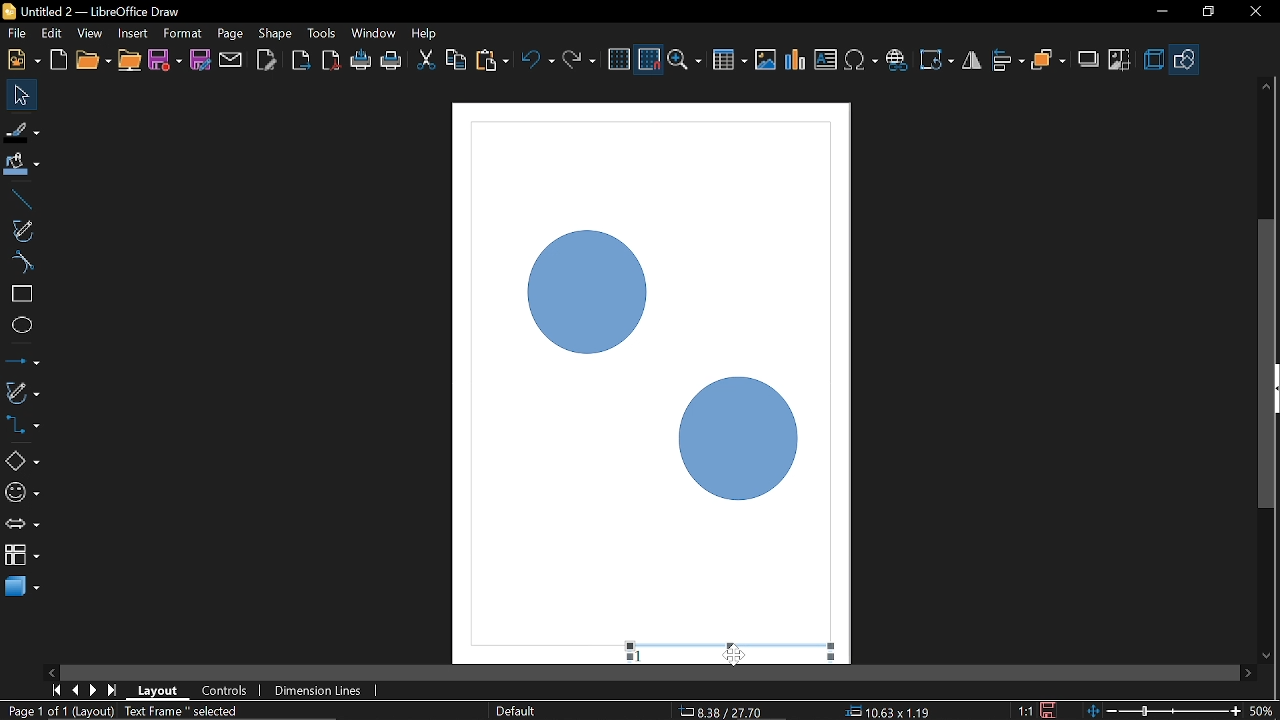 This screenshot has width=1280, height=720. I want to click on  arrow shapes, so click(22, 526).